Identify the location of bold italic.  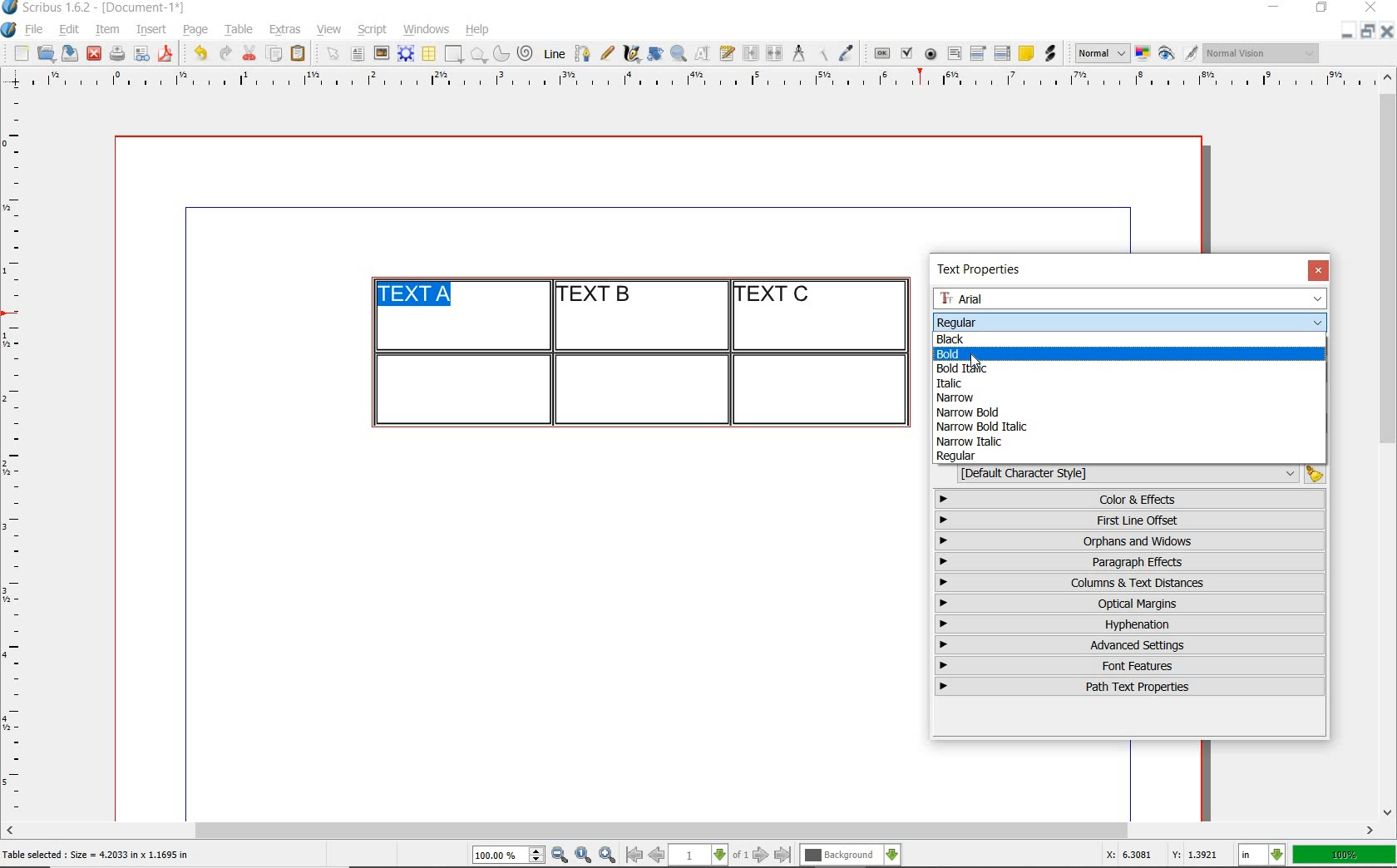
(970, 367).